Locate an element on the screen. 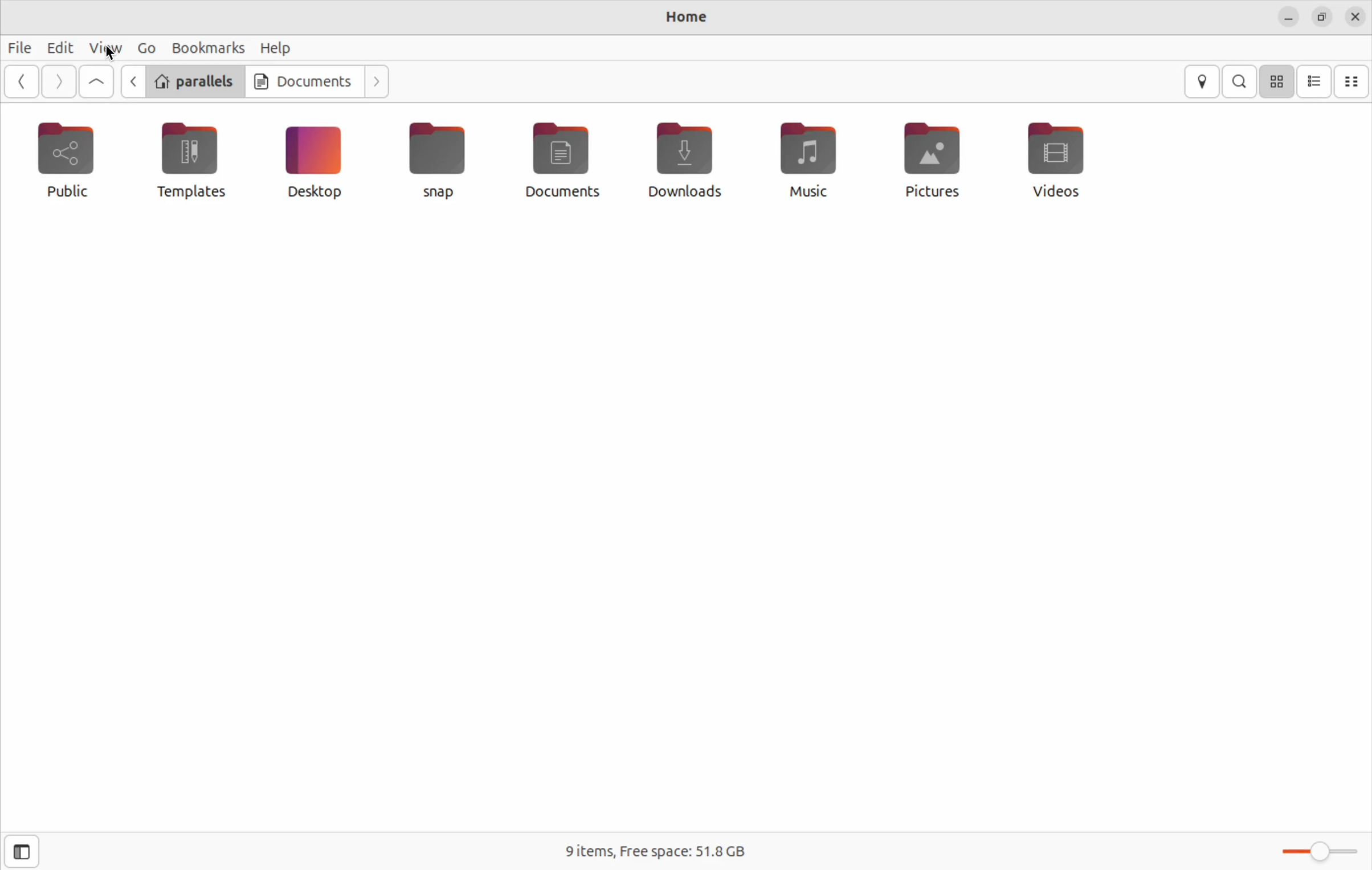 The height and width of the screenshot is (870, 1372). desktop icon is located at coordinates (312, 162).